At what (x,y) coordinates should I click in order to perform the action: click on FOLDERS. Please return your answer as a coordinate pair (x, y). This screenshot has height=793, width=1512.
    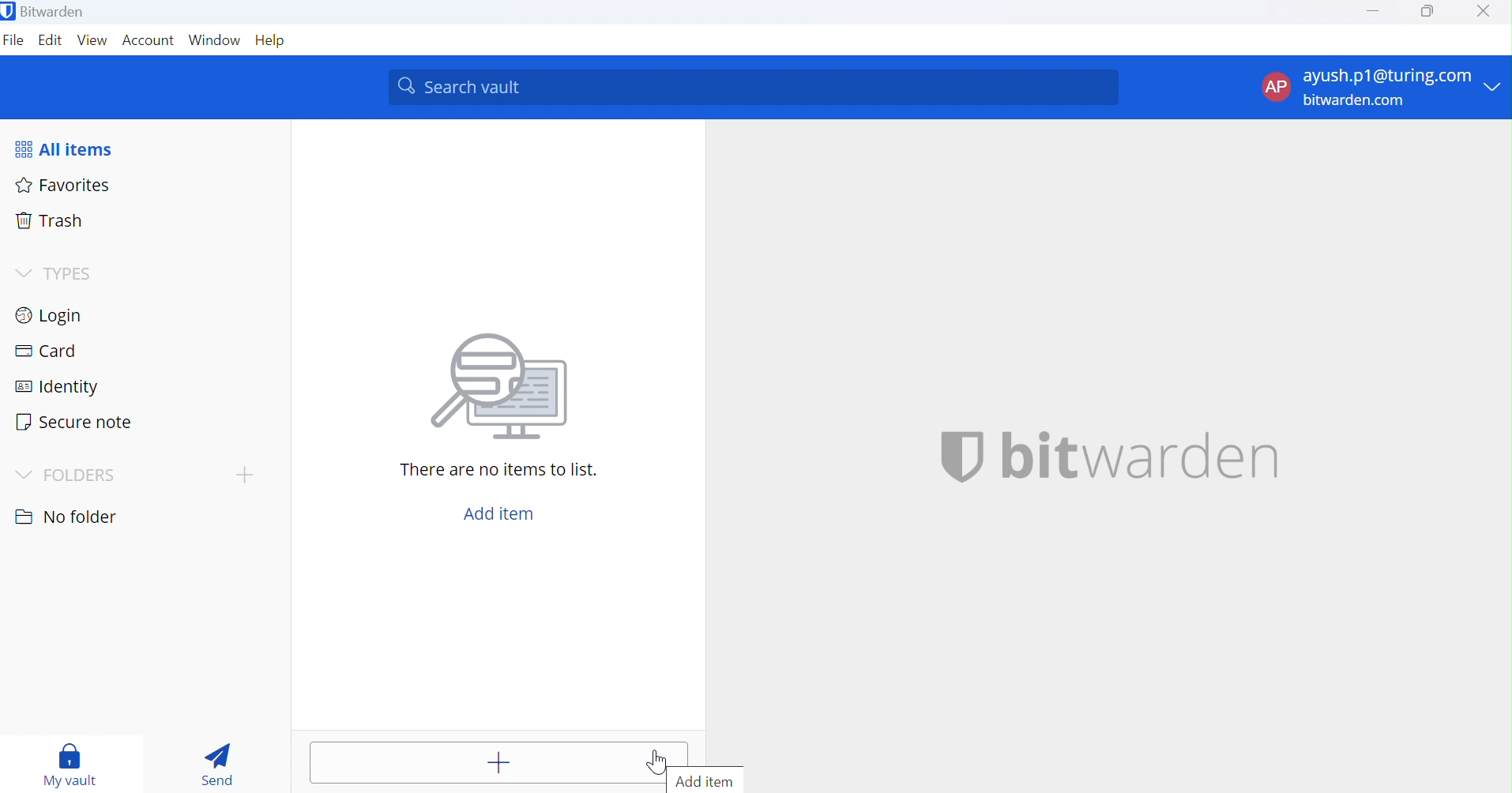
    Looking at the image, I should click on (89, 475).